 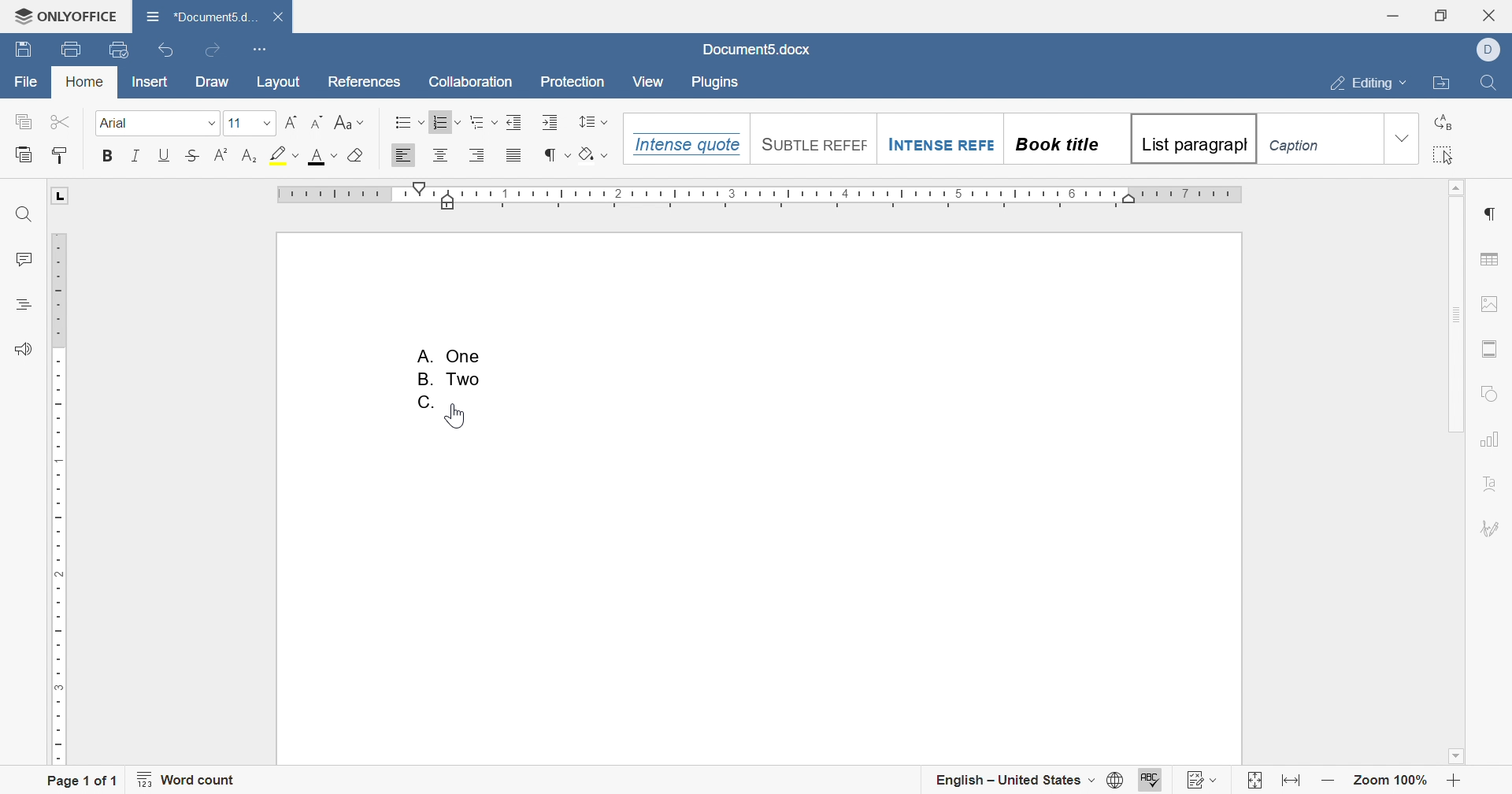 What do you see at coordinates (1441, 15) in the screenshot?
I see `restore down` at bounding box center [1441, 15].